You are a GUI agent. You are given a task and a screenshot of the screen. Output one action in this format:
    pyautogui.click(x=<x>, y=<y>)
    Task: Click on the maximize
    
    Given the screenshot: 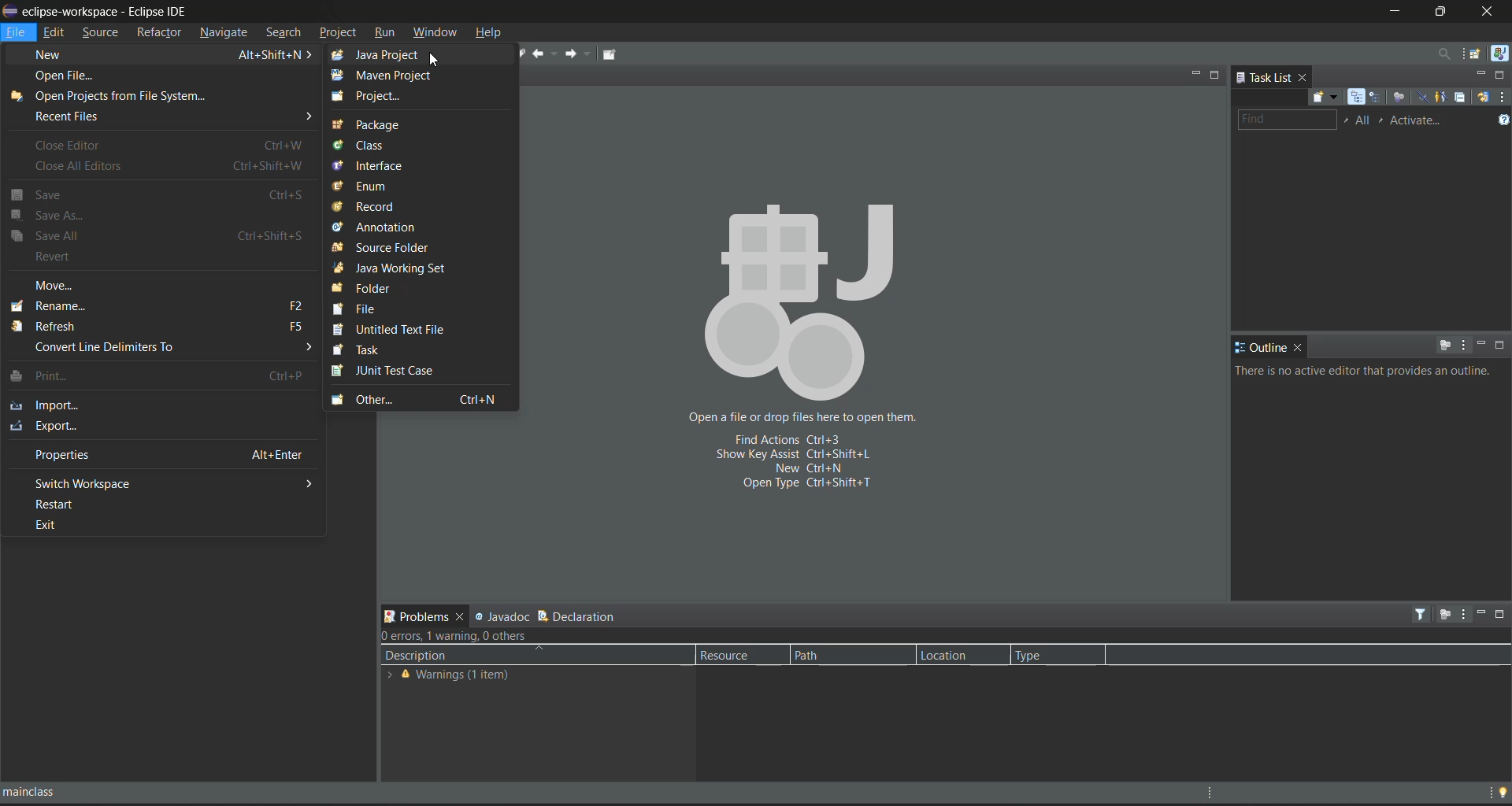 What is the action you would take?
    pyautogui.click(x=1503, y=615)
    